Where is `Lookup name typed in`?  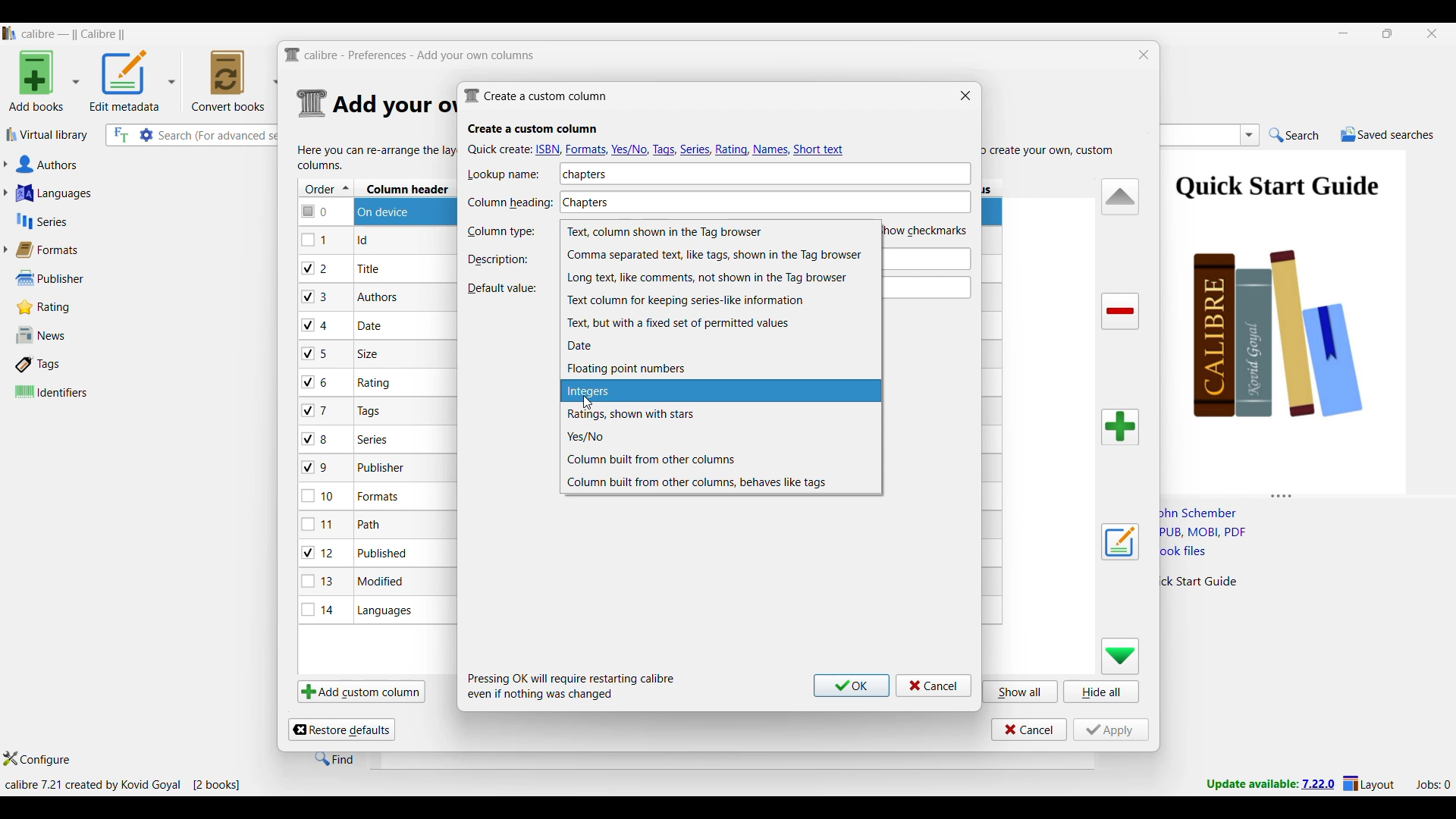
Lookup name typed in is located at coordinates (585, 174).